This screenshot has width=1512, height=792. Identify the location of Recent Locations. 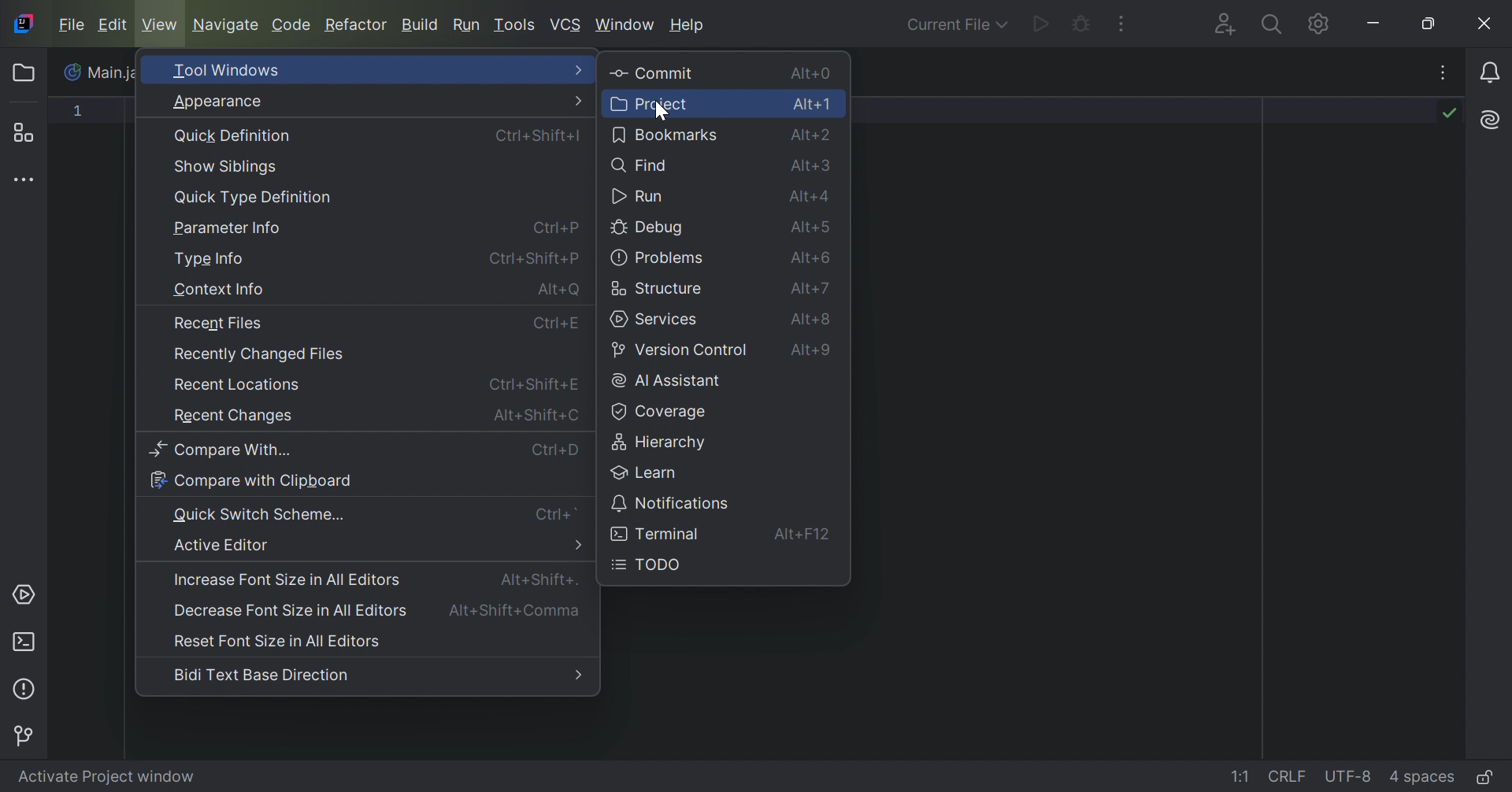
(239, 384).